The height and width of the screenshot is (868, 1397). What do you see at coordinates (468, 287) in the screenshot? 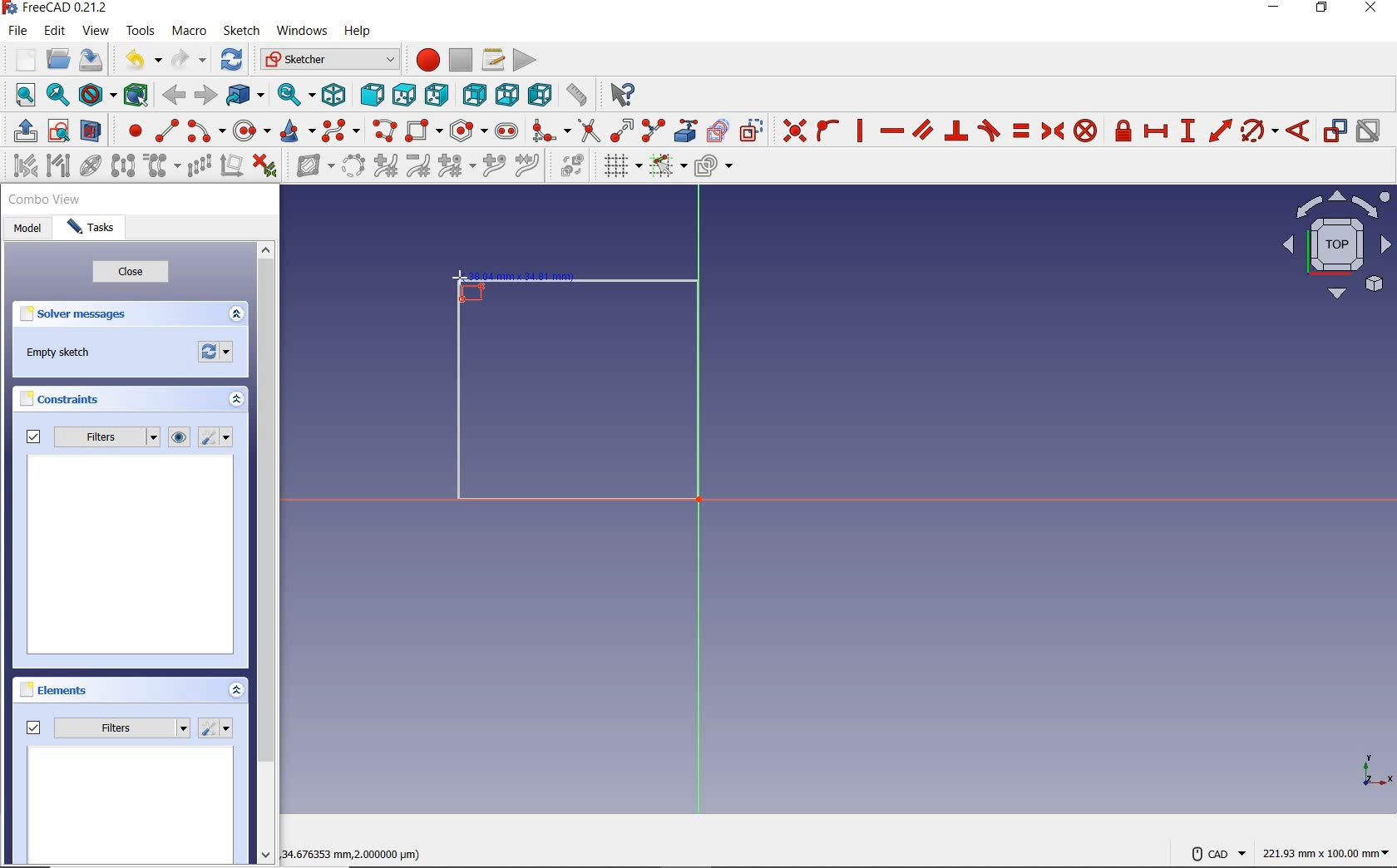
I see `rectangle tool at point Y rising` at bounding box center [468, 287].